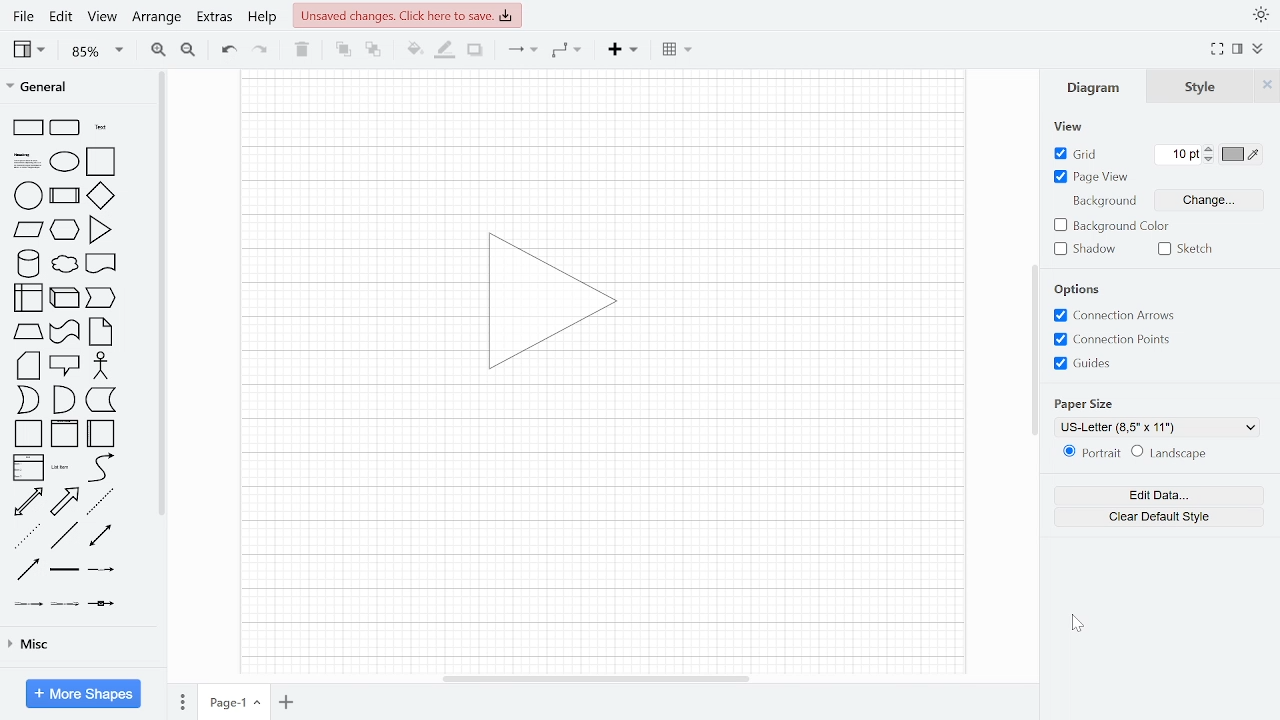 The width and height of the screenshot is (1280, 720). What do you see at coordinates (214, 18) in the screenshot?
I see `Extras` at bounding box center [214, 18].